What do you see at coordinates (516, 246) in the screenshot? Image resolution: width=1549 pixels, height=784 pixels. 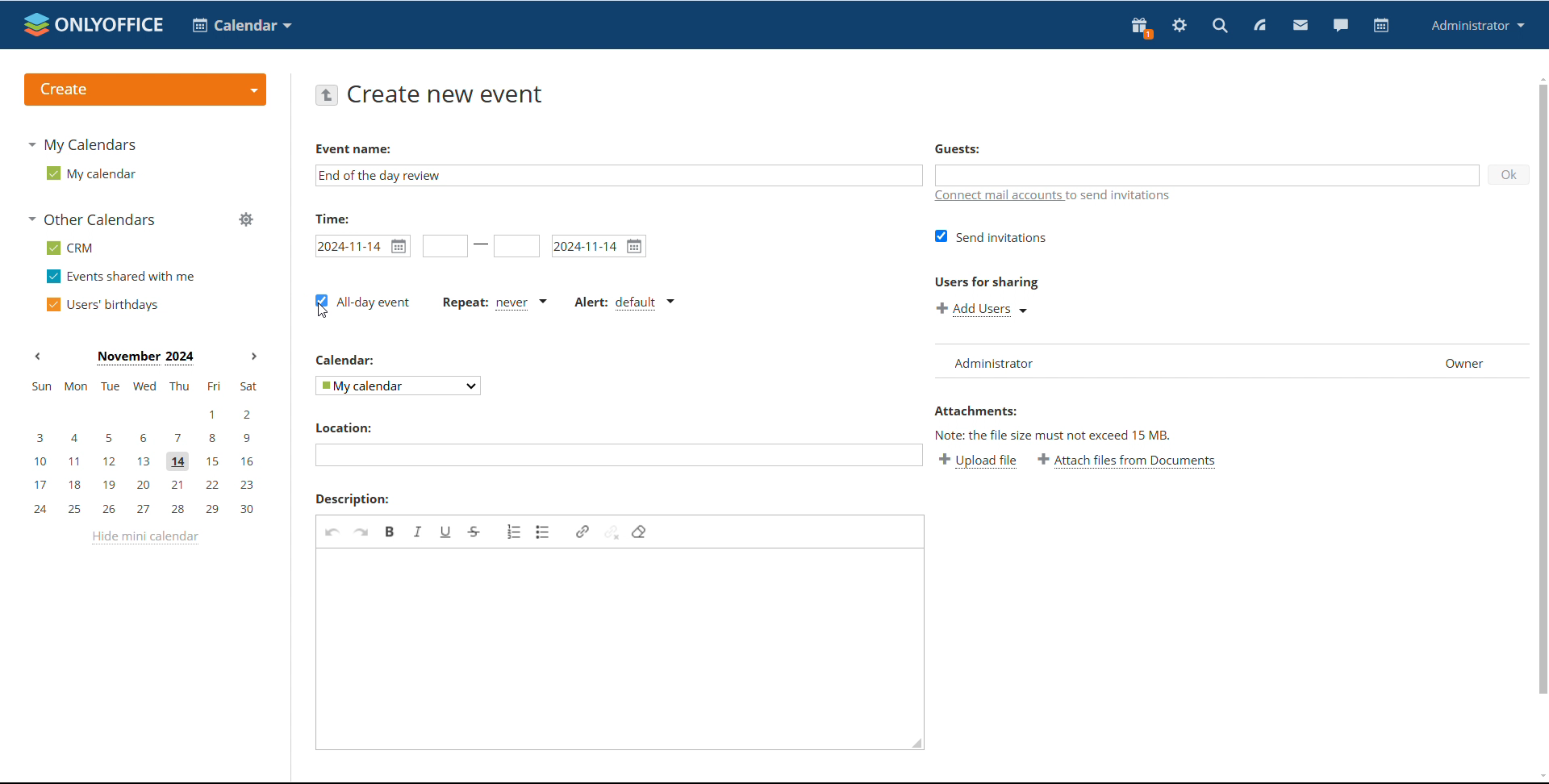 I see `set end time` at bounding box center [516, 246].